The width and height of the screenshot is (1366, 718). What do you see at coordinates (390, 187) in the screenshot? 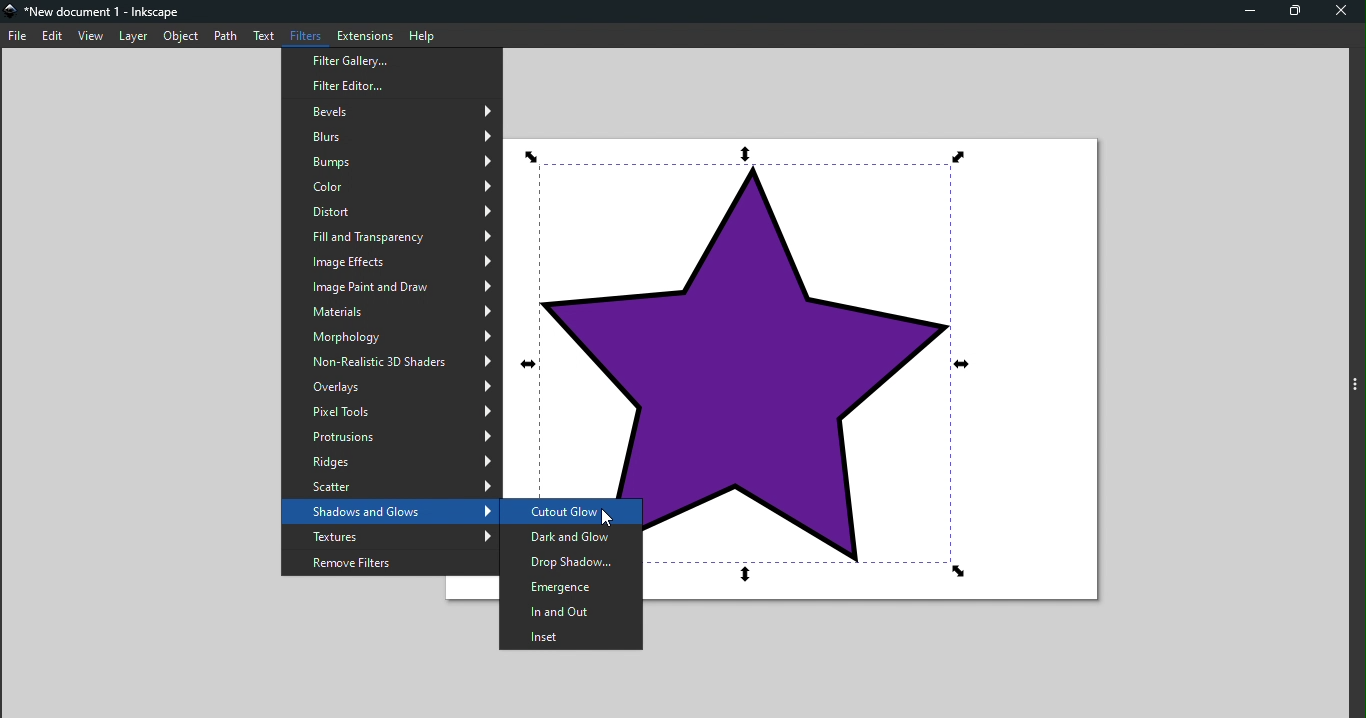
I see `Color` at bounding box center [390, 187].